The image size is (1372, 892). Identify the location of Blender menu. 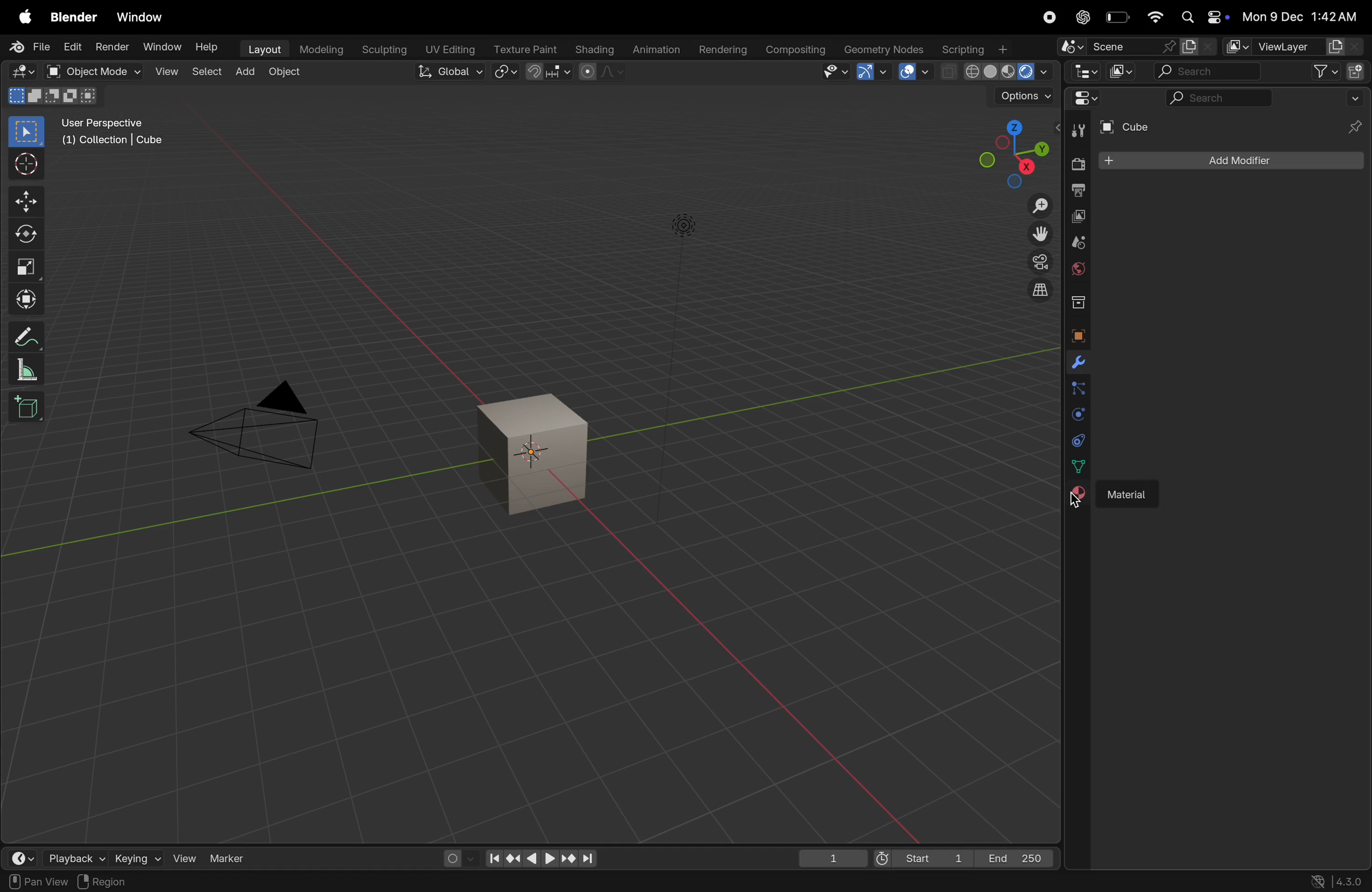
(73, 17).